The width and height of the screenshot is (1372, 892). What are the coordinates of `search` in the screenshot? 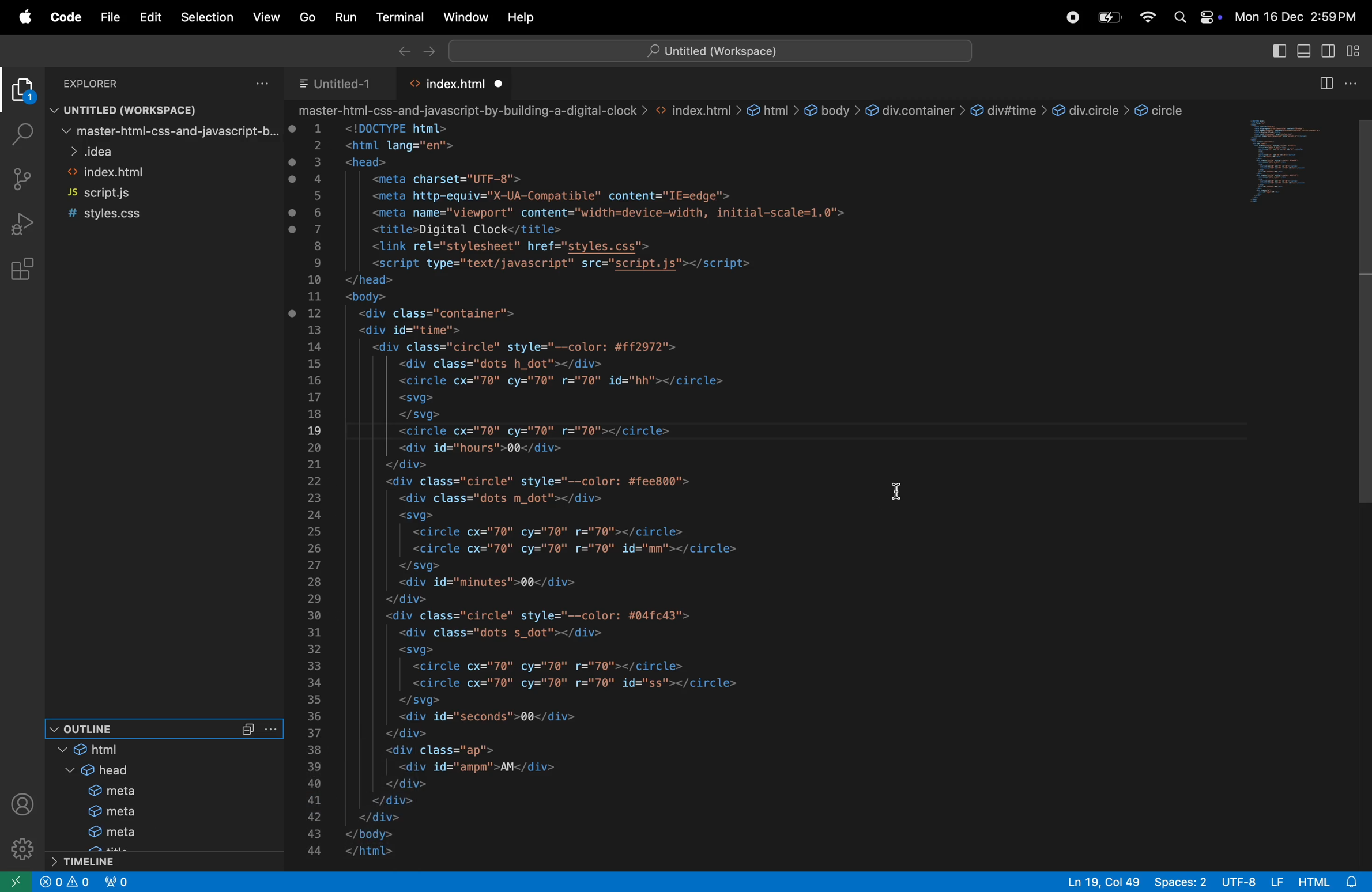 It's located at (1179, 19).